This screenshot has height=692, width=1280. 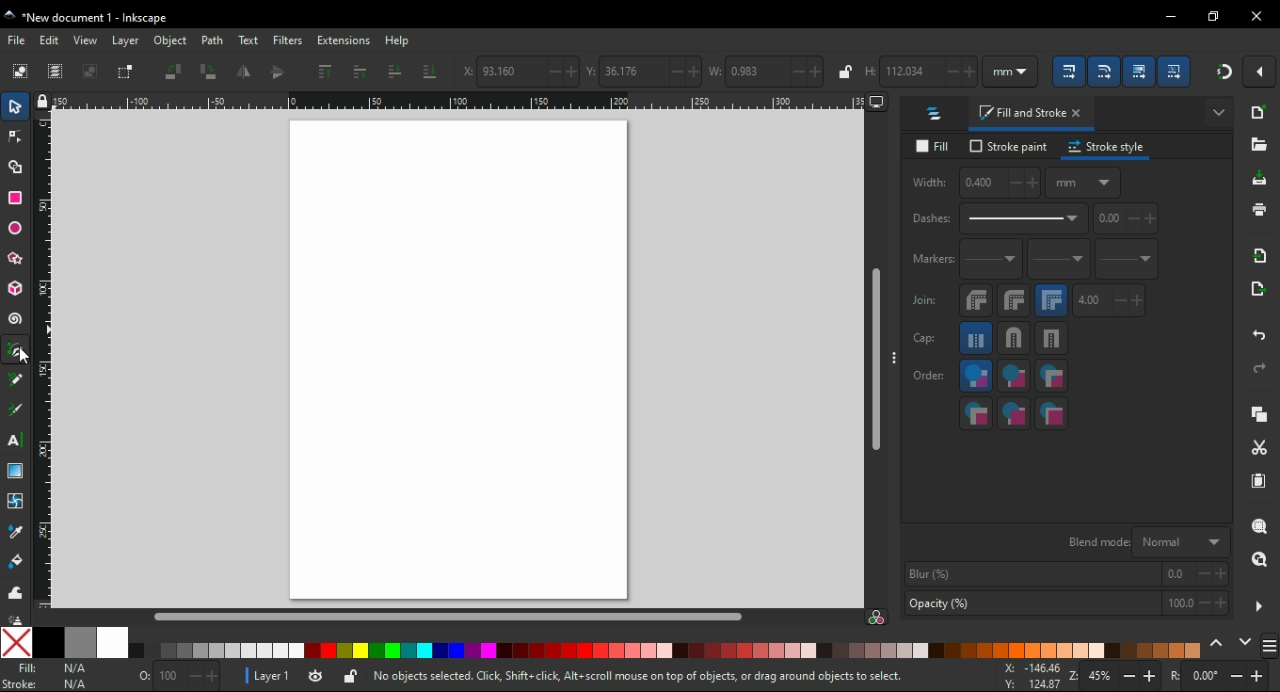 I want to click on white, so click(x=113, y=642).